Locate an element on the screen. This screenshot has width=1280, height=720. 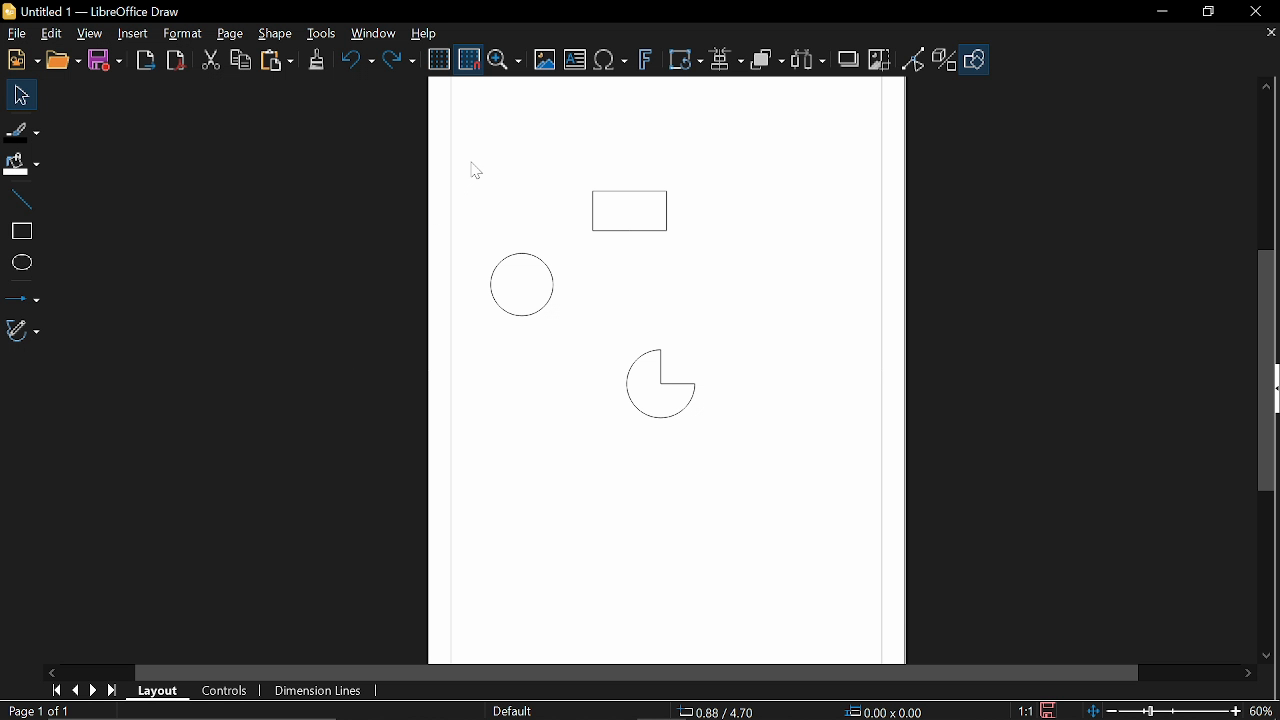
Quarter Circle is located at coordinates (656, 388).